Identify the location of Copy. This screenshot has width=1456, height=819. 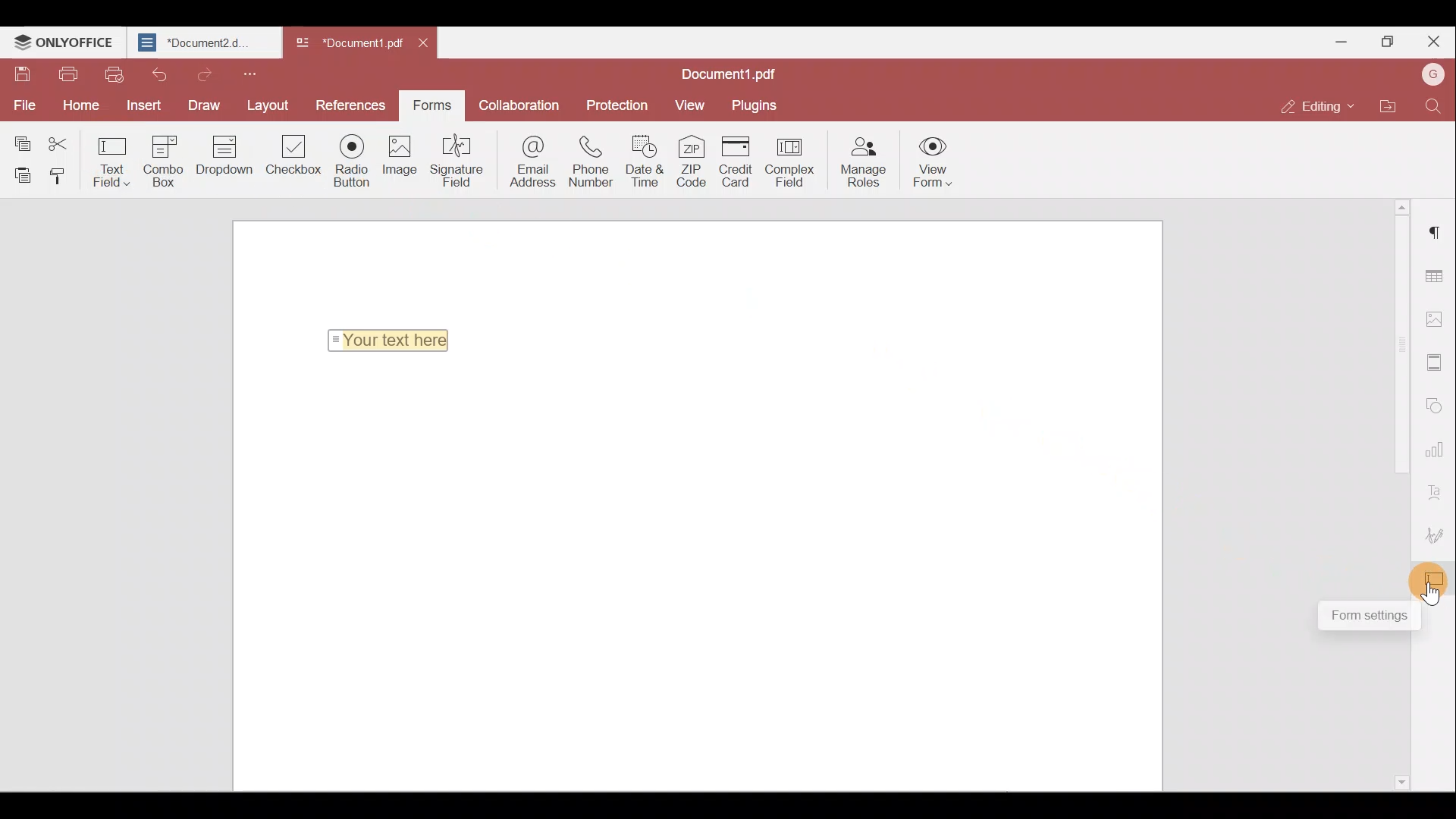
(21, 138).